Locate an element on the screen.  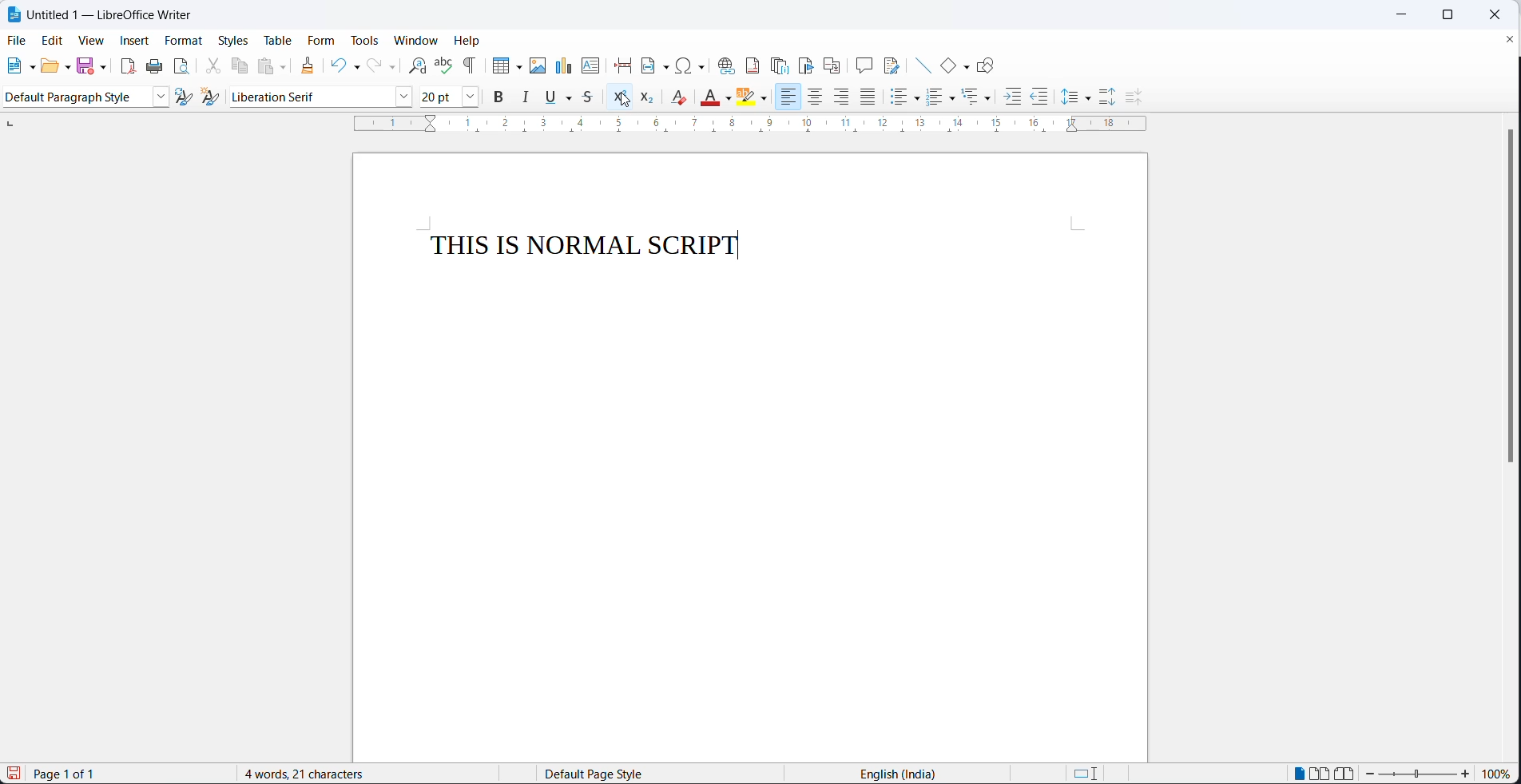
cut is located at coordinates (211, 65).